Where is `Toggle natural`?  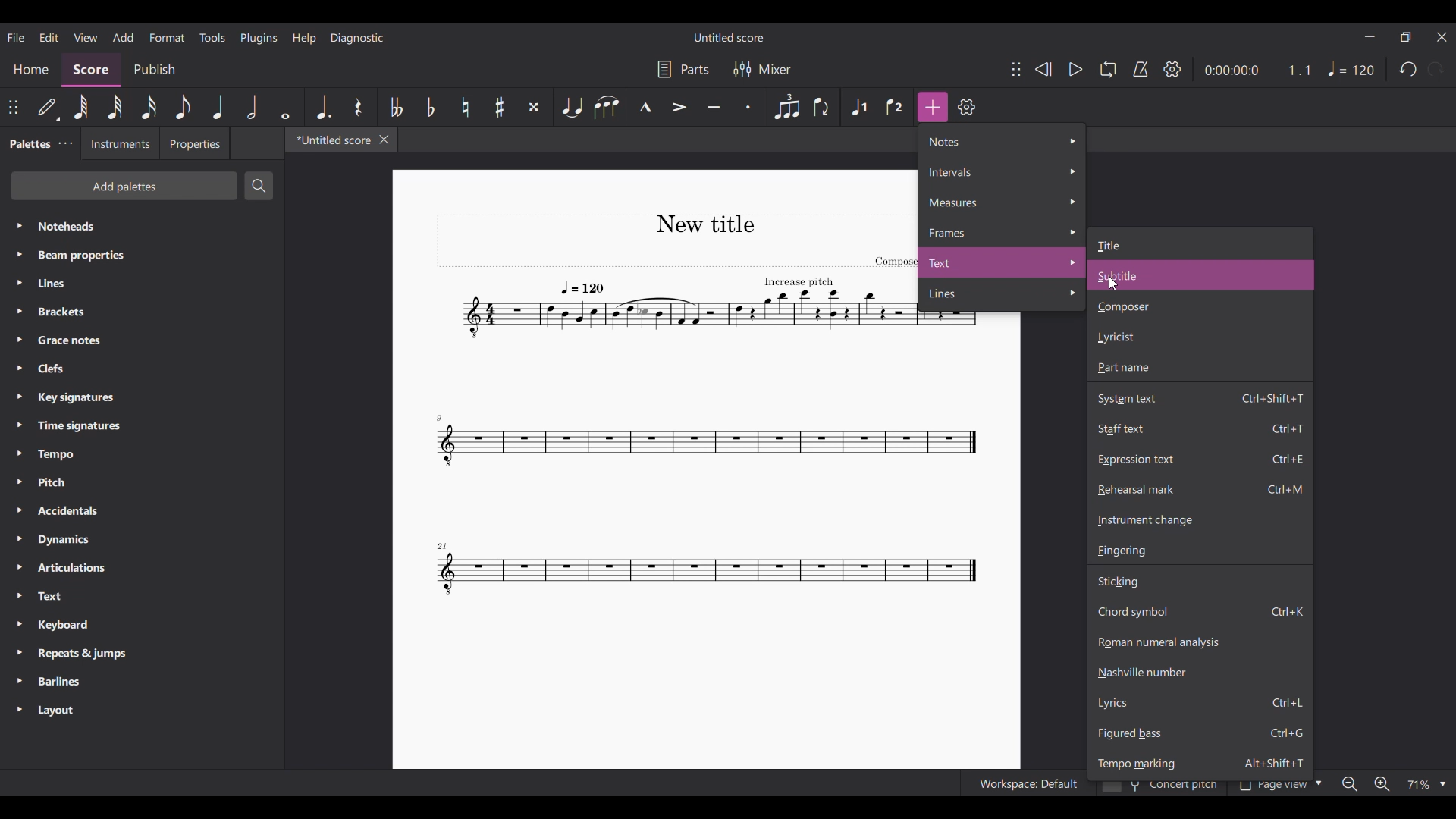 Toggle natural is located at coordinates (465, 107).